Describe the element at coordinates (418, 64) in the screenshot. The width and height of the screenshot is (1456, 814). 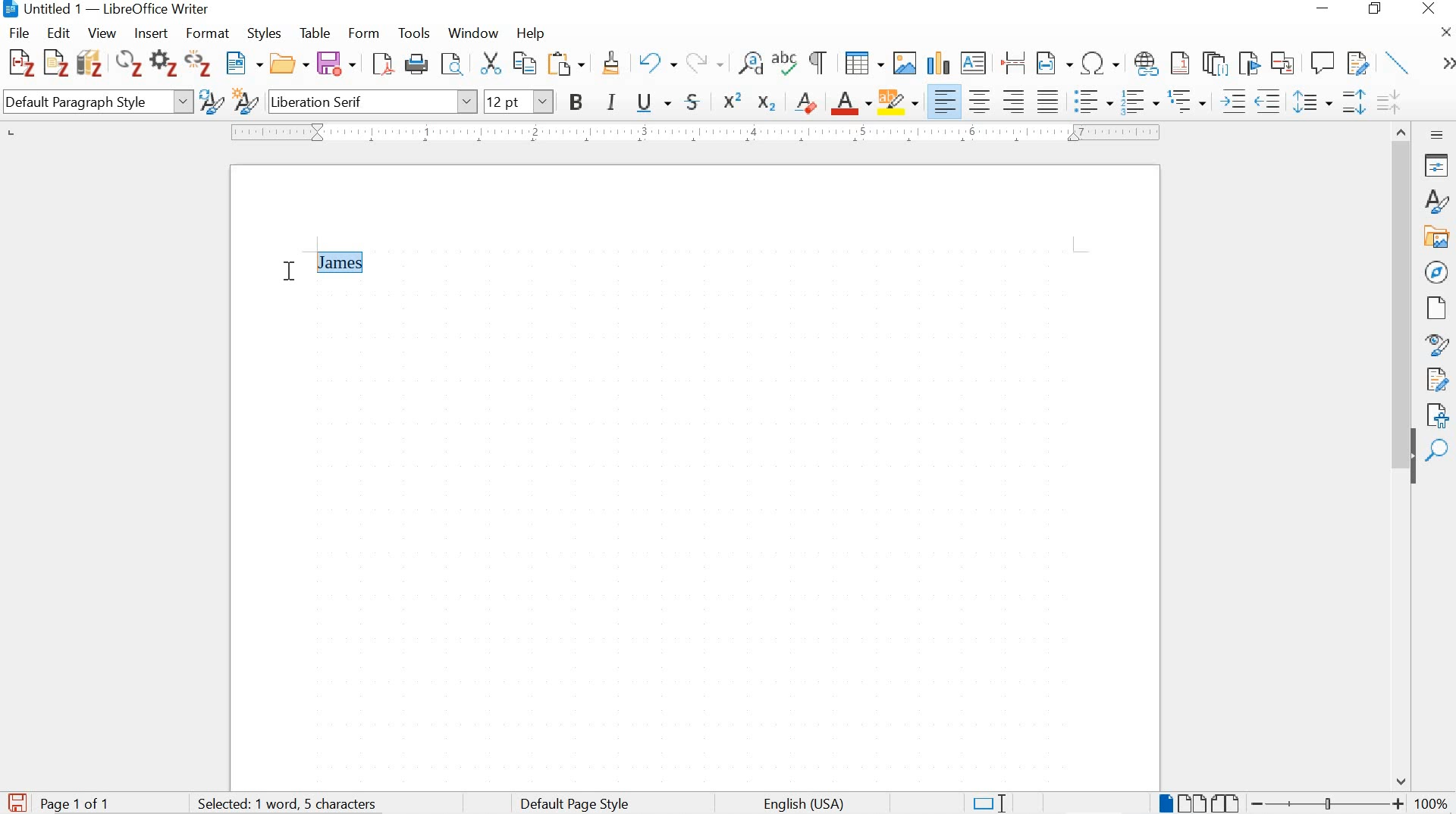
I see `print` at that location.